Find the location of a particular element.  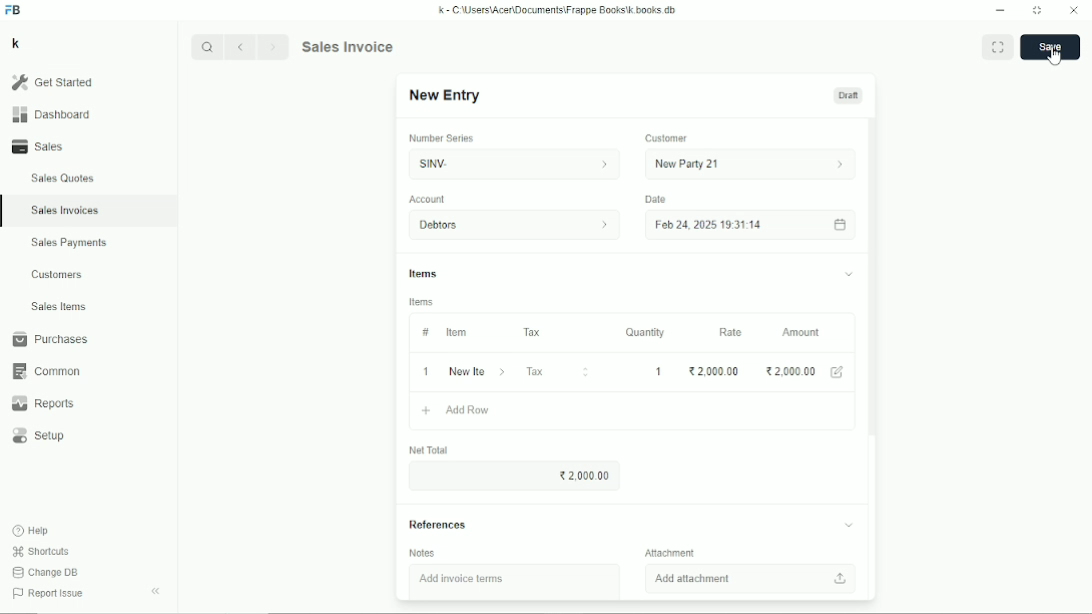

New party 21 is located at coordinates (752, 164).